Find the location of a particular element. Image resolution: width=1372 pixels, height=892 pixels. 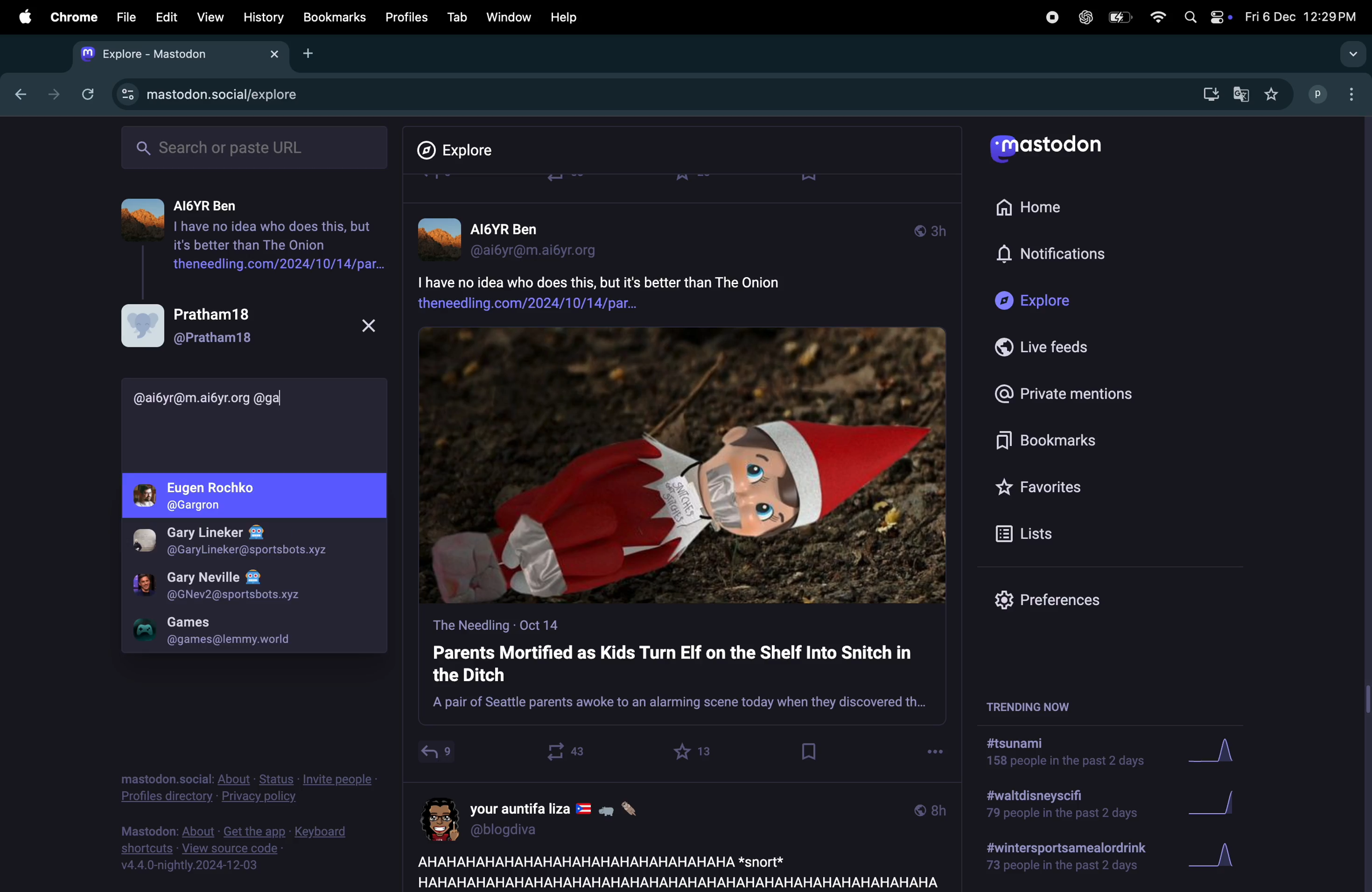

mastodo explore is located at coordinates (205, 92).